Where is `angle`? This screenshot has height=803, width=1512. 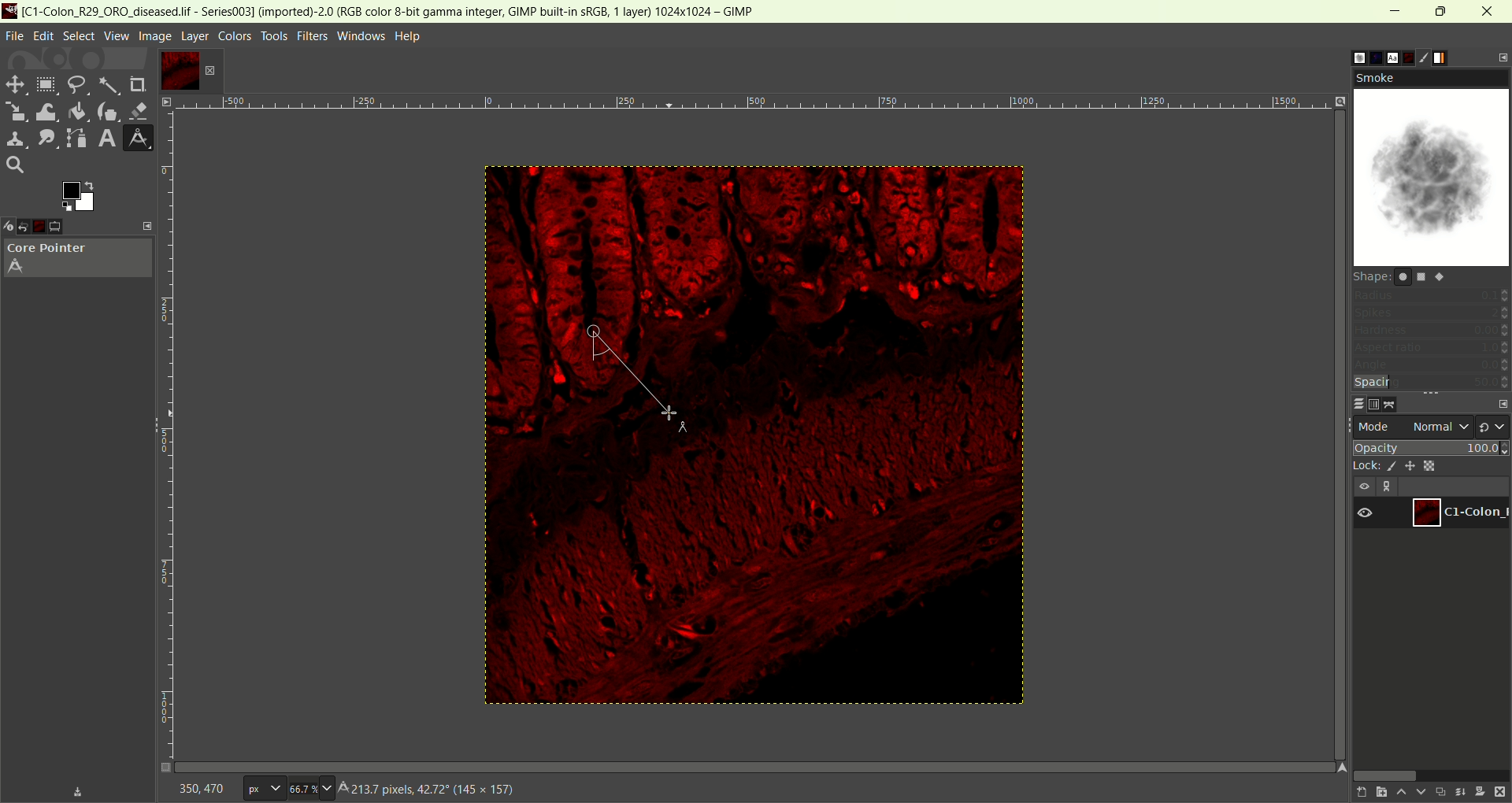 angle is located at coordinates (1431, 366).